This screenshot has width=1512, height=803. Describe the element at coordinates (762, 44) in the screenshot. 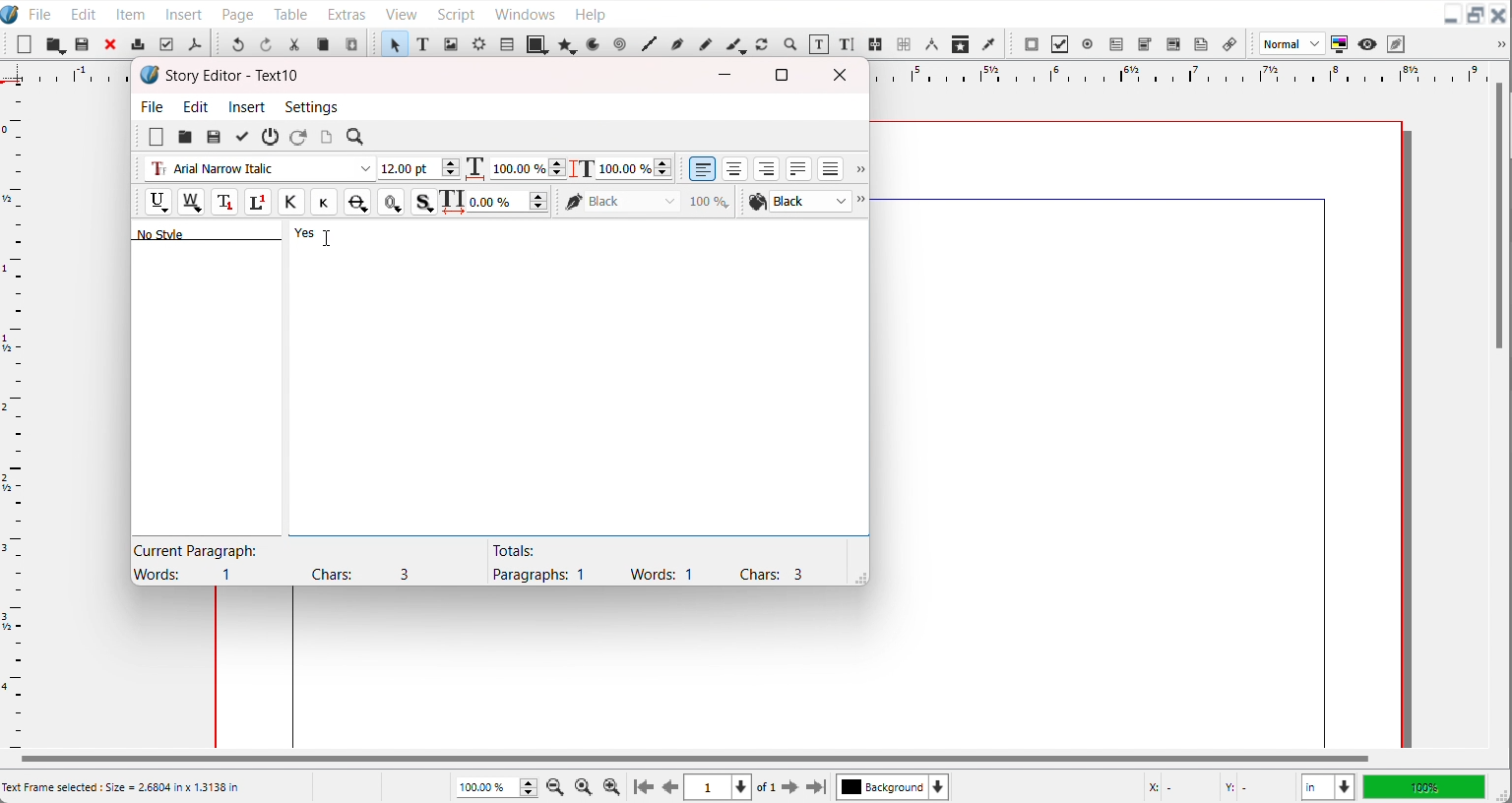

I see `Rotate item` at that location.